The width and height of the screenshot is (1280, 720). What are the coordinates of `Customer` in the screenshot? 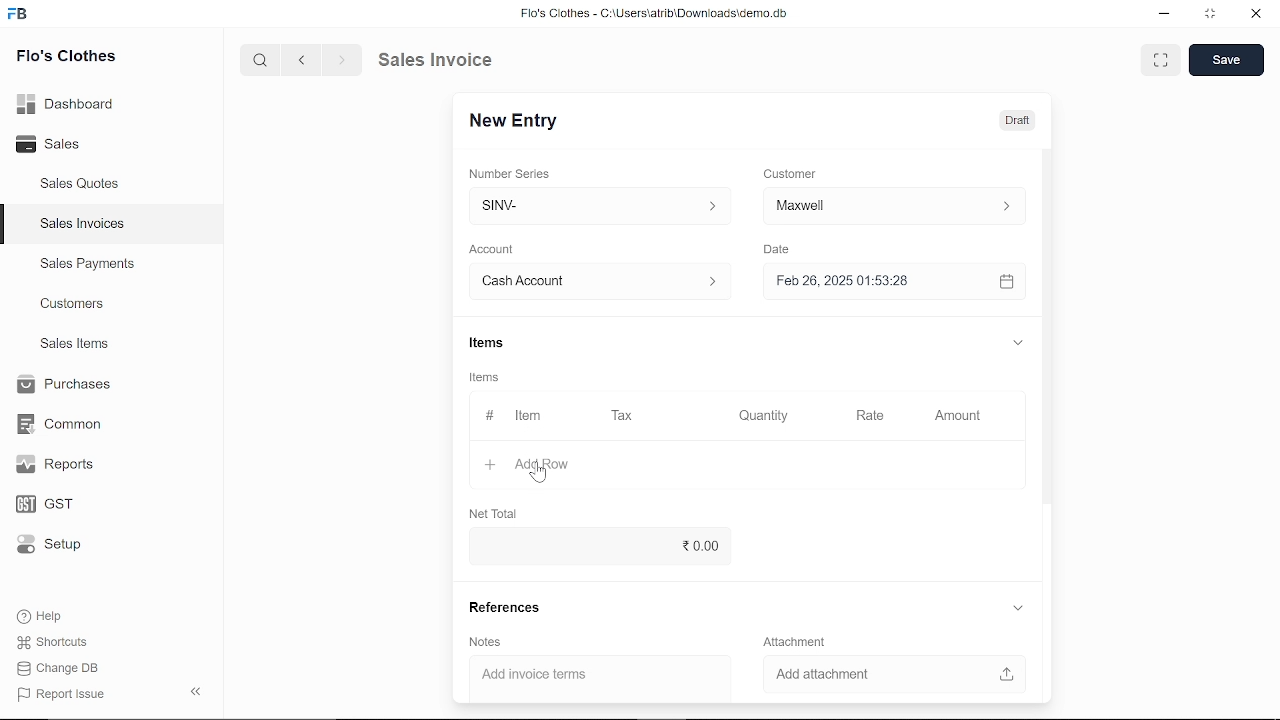 It's located at (792, 173).